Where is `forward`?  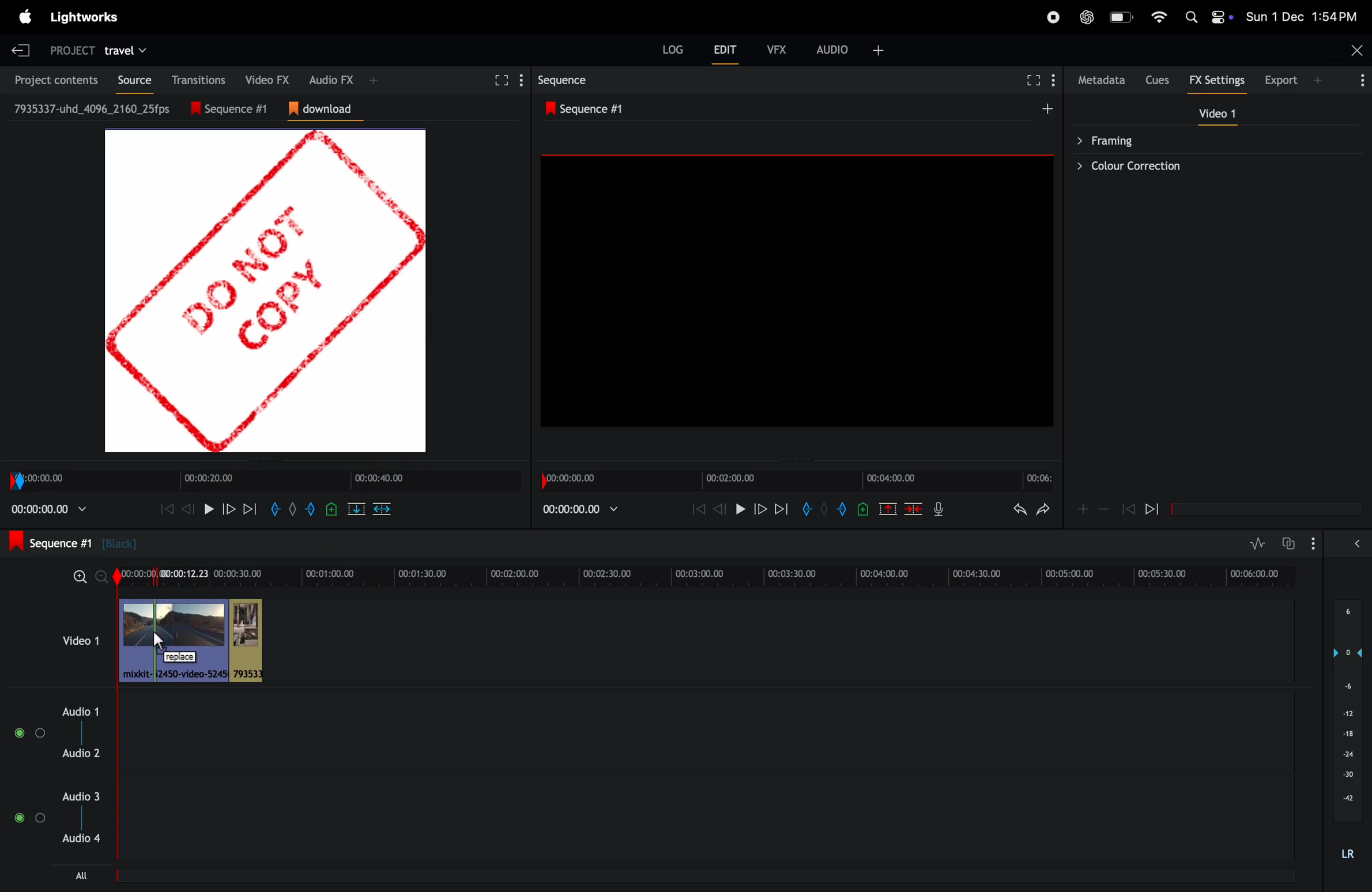
forward is located at coordinates (760, 508).